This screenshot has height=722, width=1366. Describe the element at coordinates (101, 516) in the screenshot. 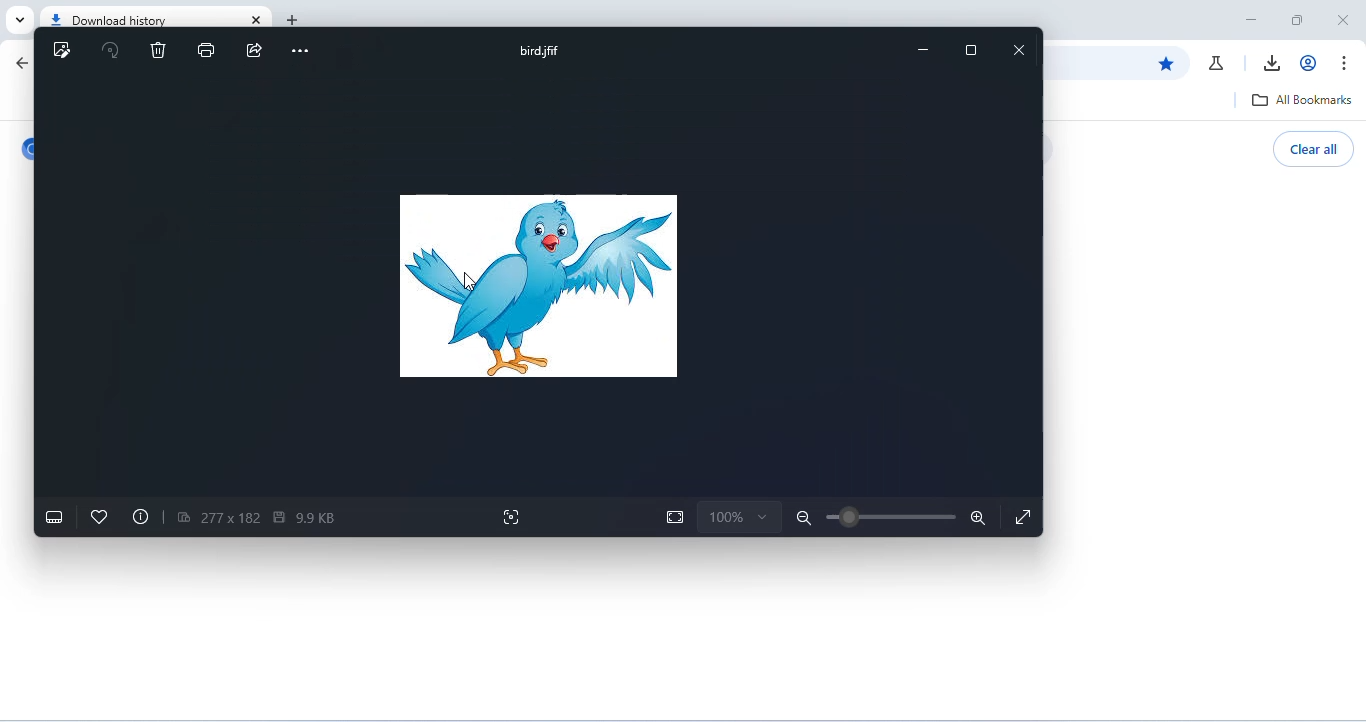

I see `add to favorites` at that location.